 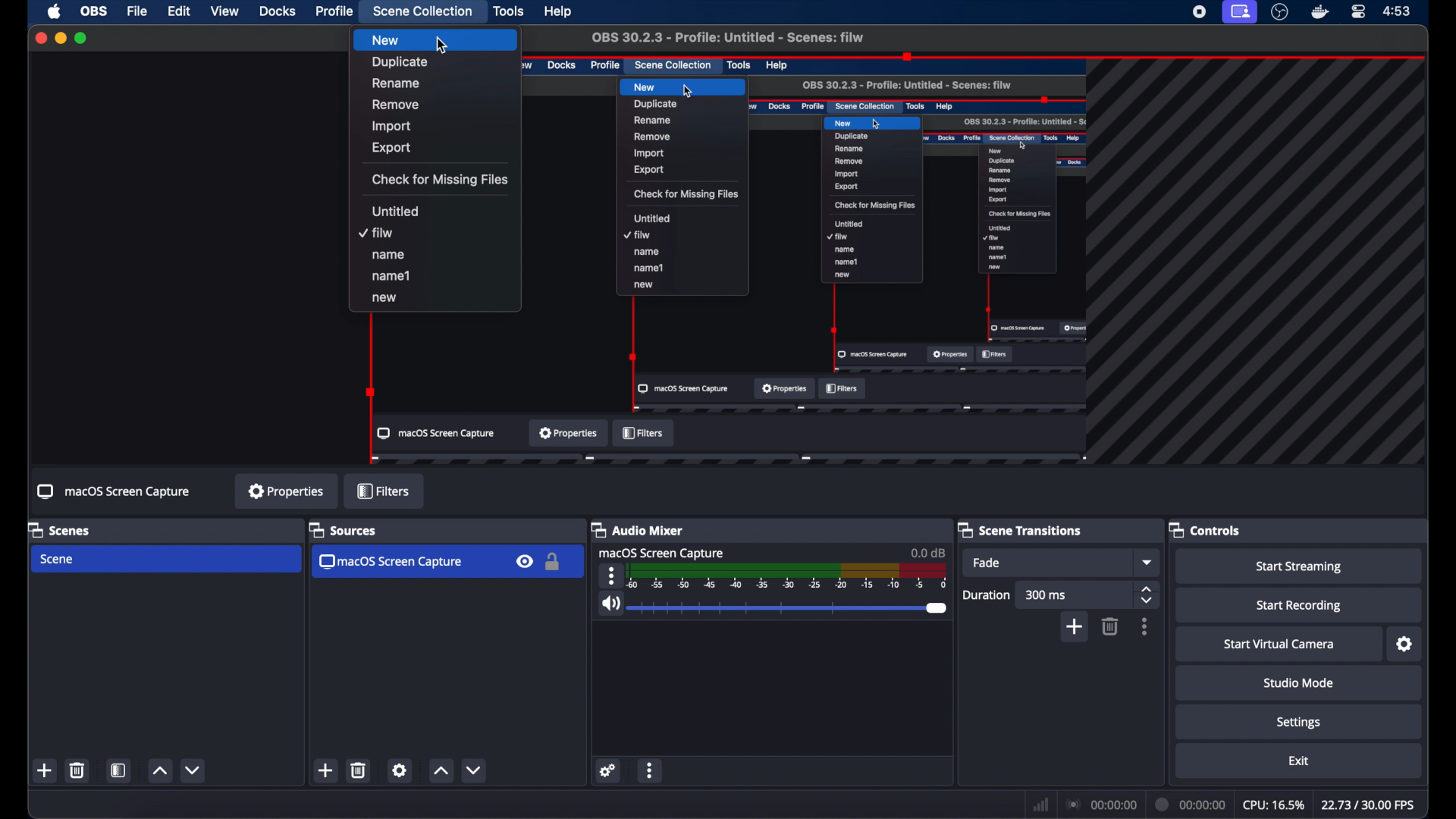 I want to click on slider, so click(x=787, y=608).